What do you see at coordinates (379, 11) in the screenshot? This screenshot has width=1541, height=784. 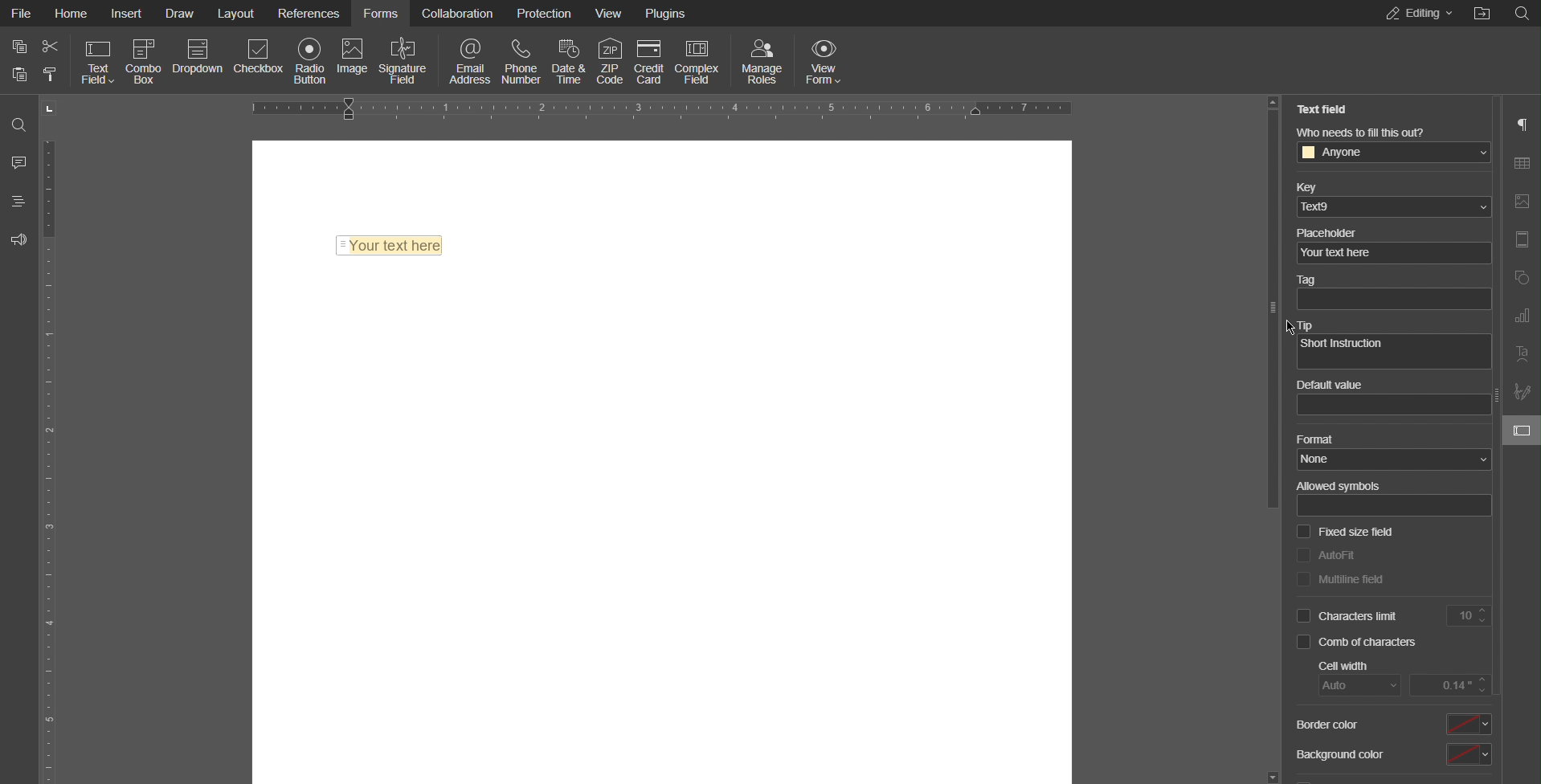 I see `Forms` at bounding box center [379, 11].